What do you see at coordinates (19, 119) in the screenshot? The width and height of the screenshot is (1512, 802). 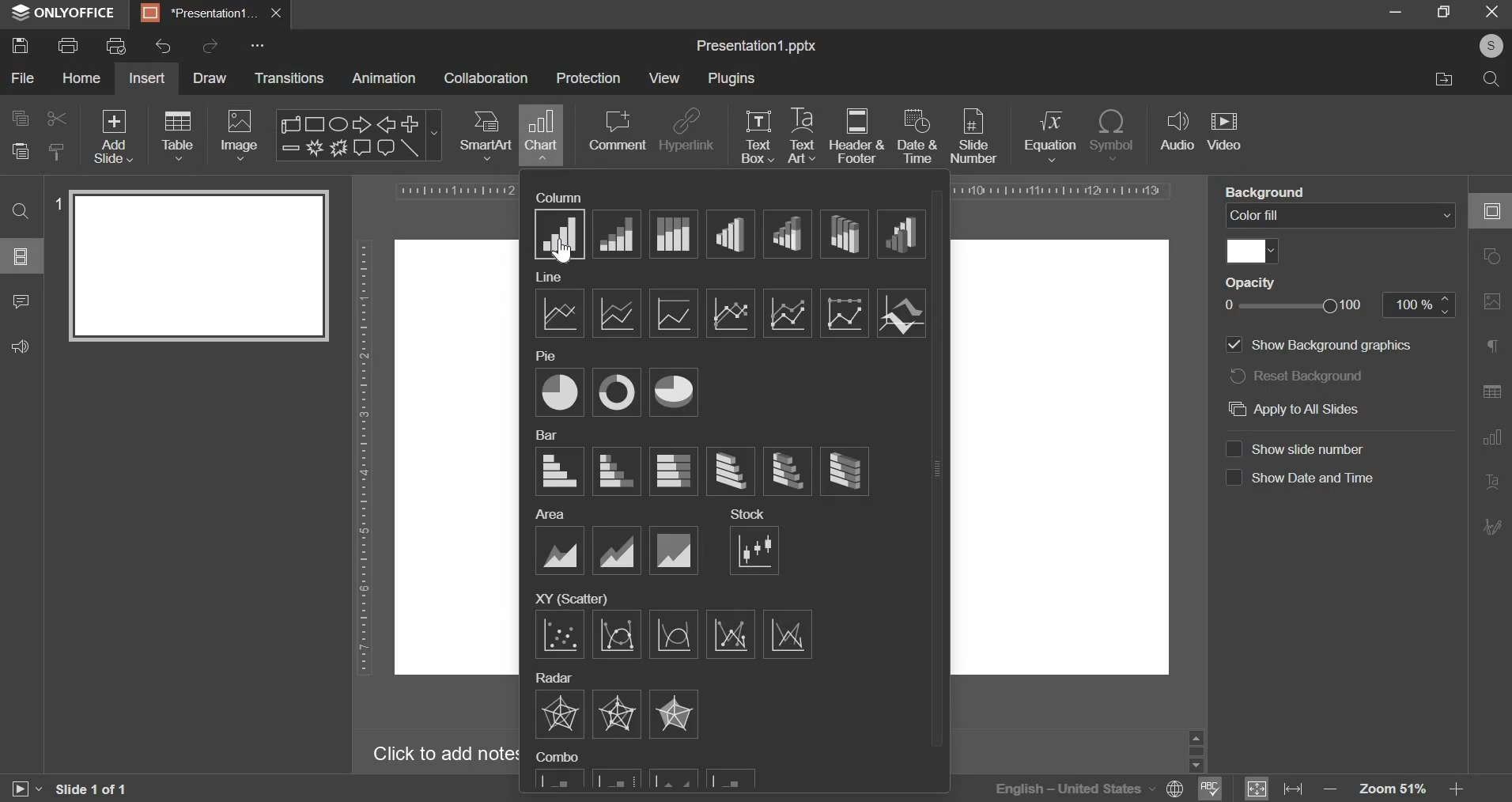 I see `copy` at bounding box center [19, 119].